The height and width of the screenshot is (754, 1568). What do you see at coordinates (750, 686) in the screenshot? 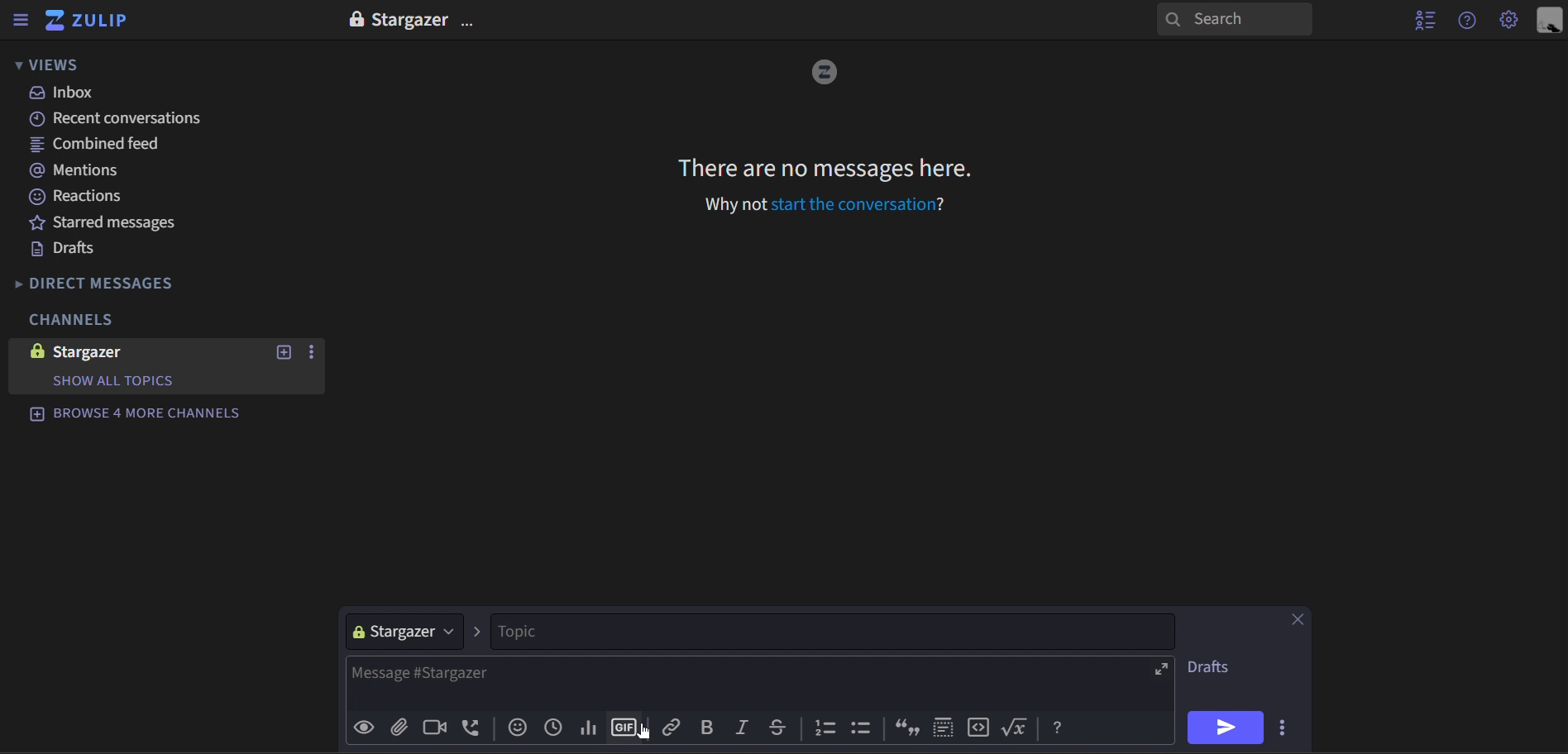
I see `Message Stargazer` at bounding box center [750, 686].